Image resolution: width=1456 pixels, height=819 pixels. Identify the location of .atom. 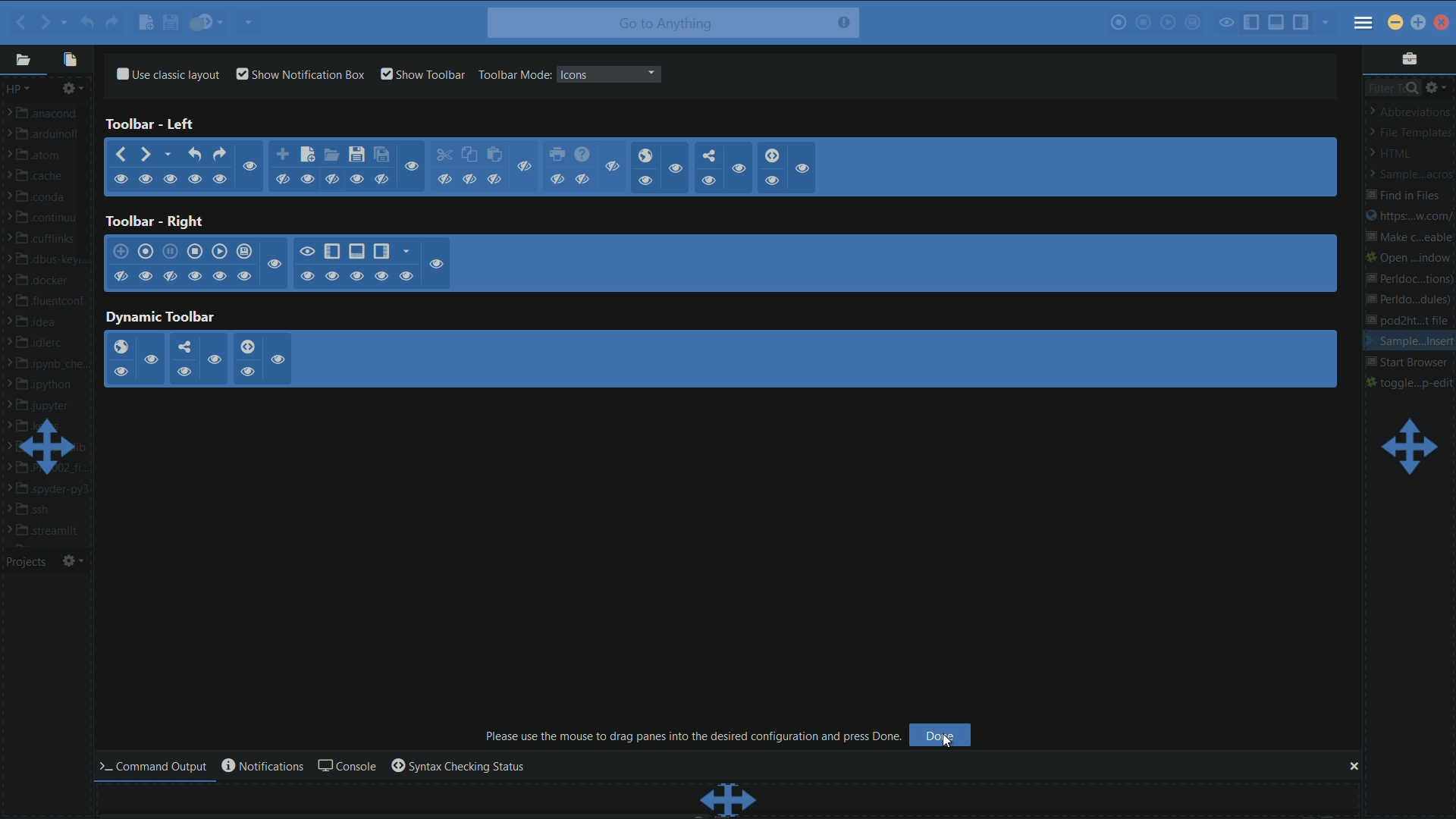
(42, 157).